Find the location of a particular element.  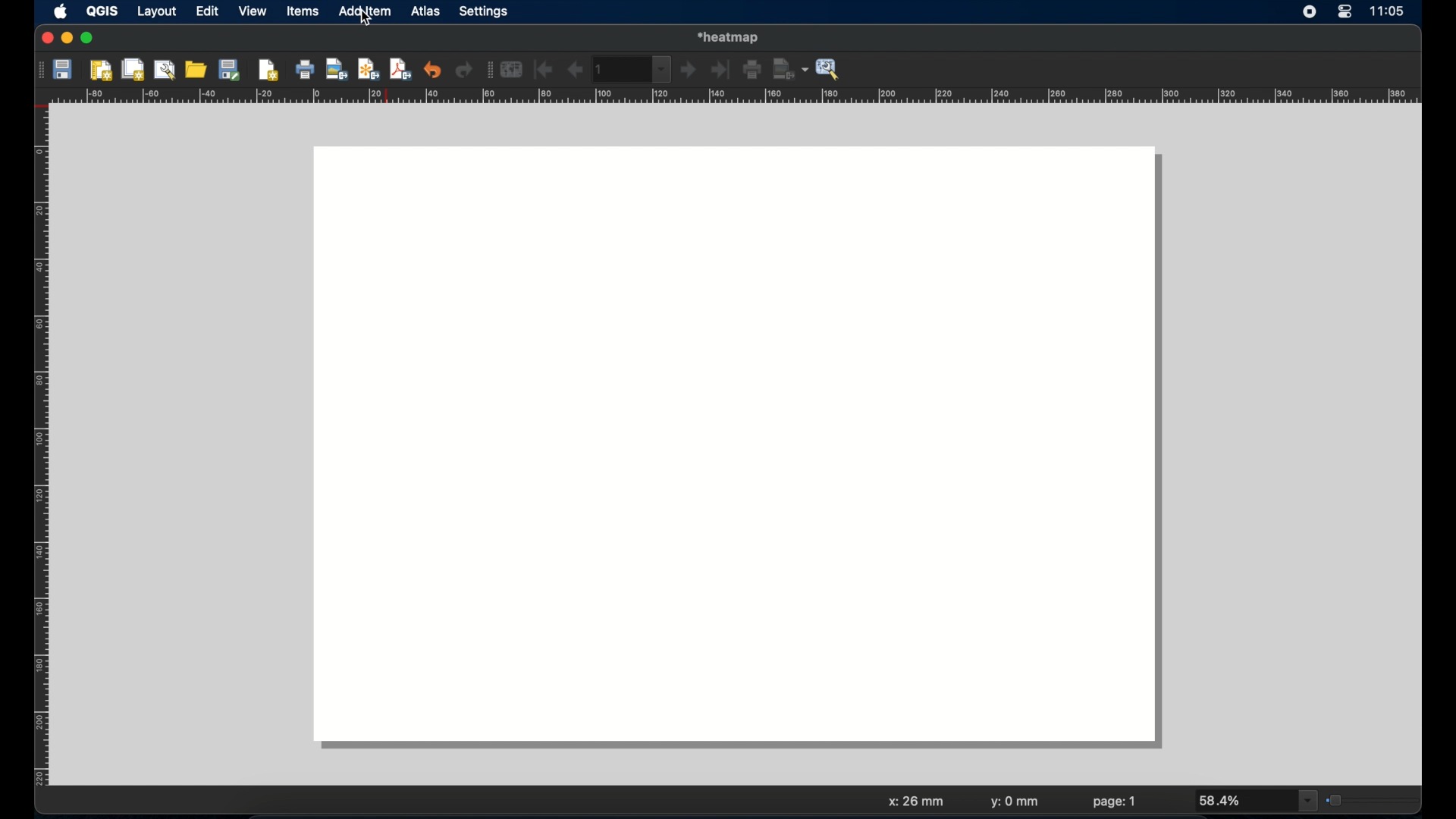

first feature is located at coordinates (544, 69).